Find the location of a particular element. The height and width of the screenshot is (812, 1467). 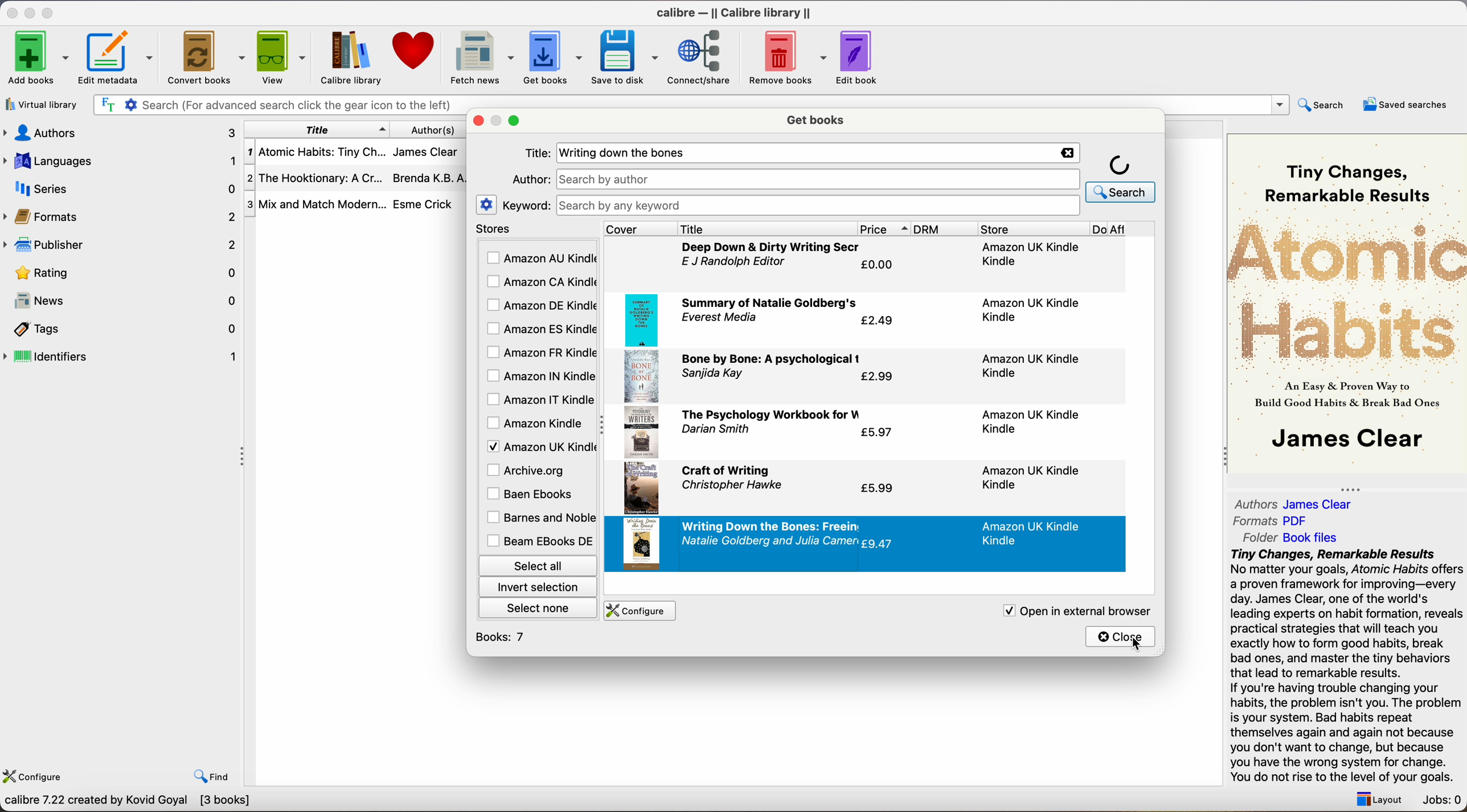

Writing down the bones: Freein is located at coordinates (771, 526).